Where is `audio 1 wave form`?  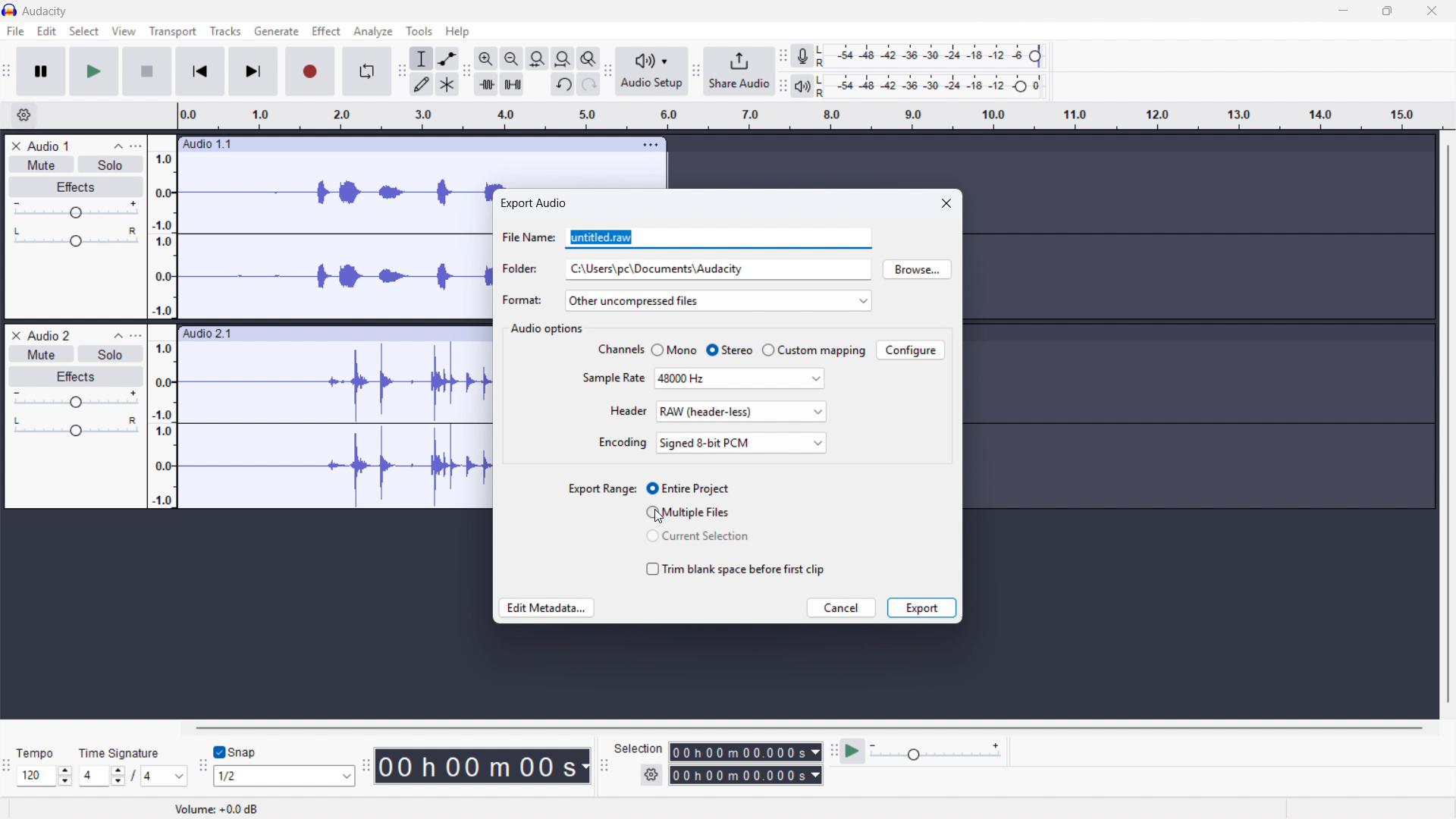
audio 1 wave form is located at coordinates (336, 243).